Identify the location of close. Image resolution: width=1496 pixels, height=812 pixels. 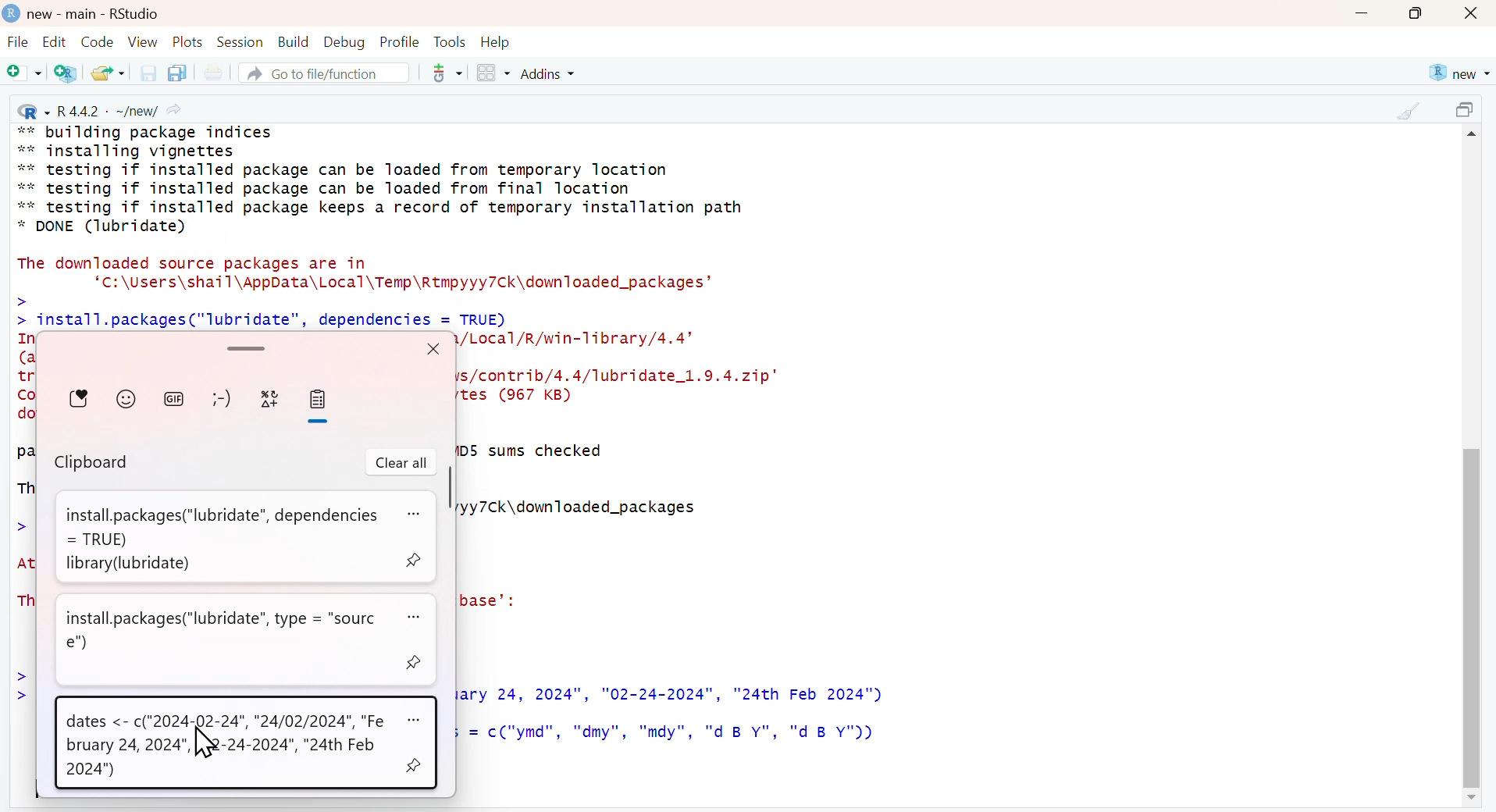
(433, 348).